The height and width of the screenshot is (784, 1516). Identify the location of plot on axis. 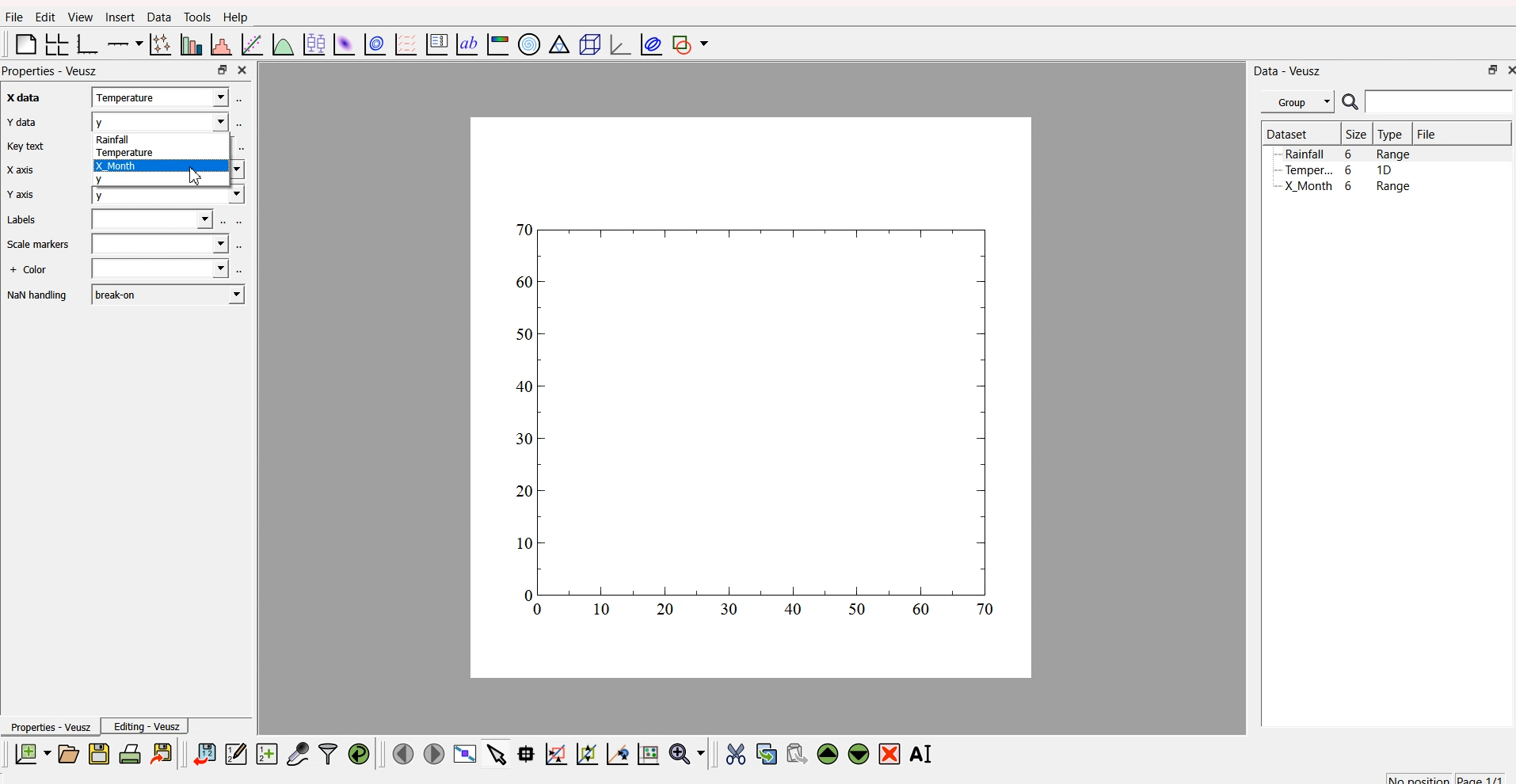
(126, 43).